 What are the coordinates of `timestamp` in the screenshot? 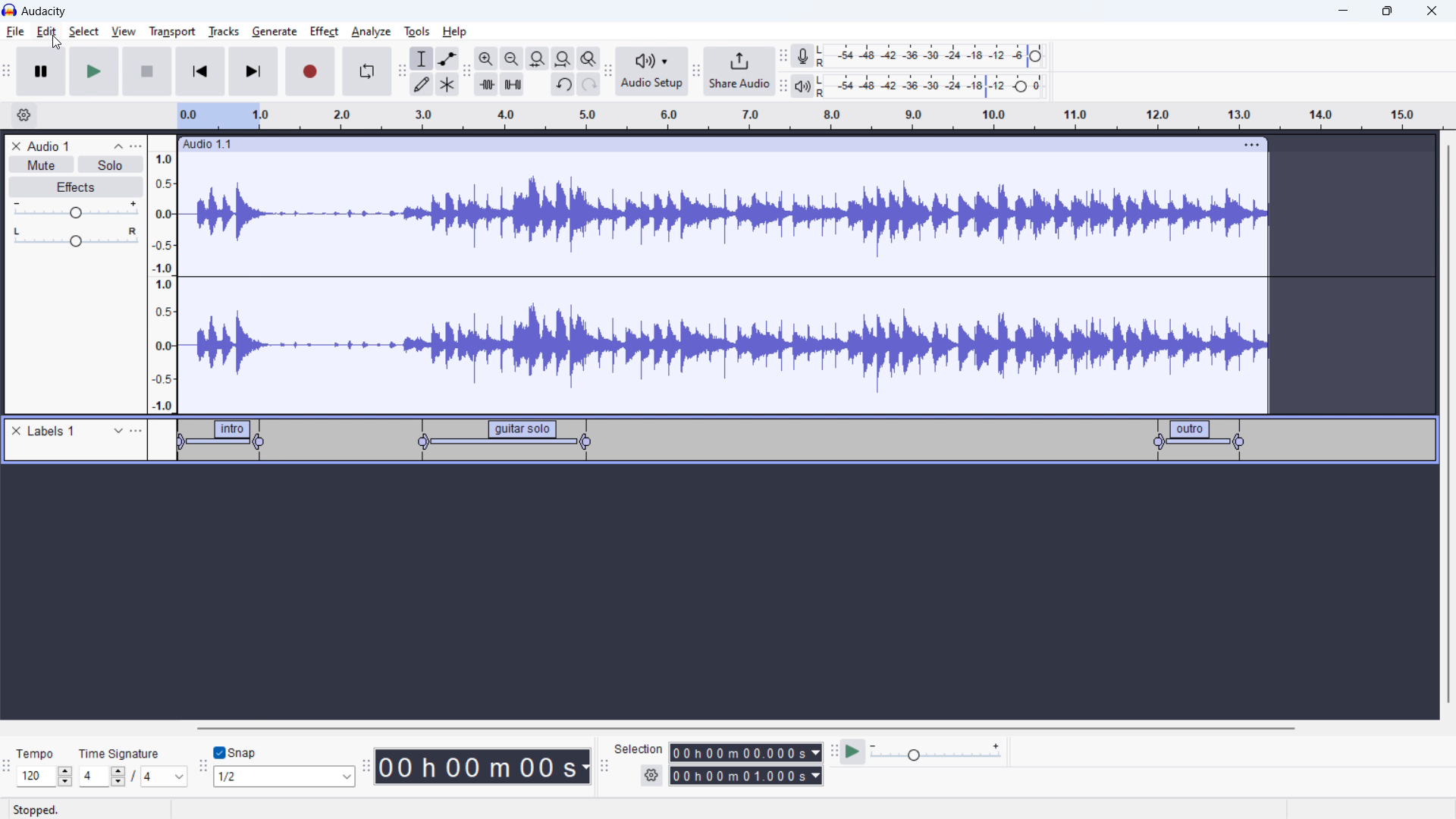 It's located at (483, 765).